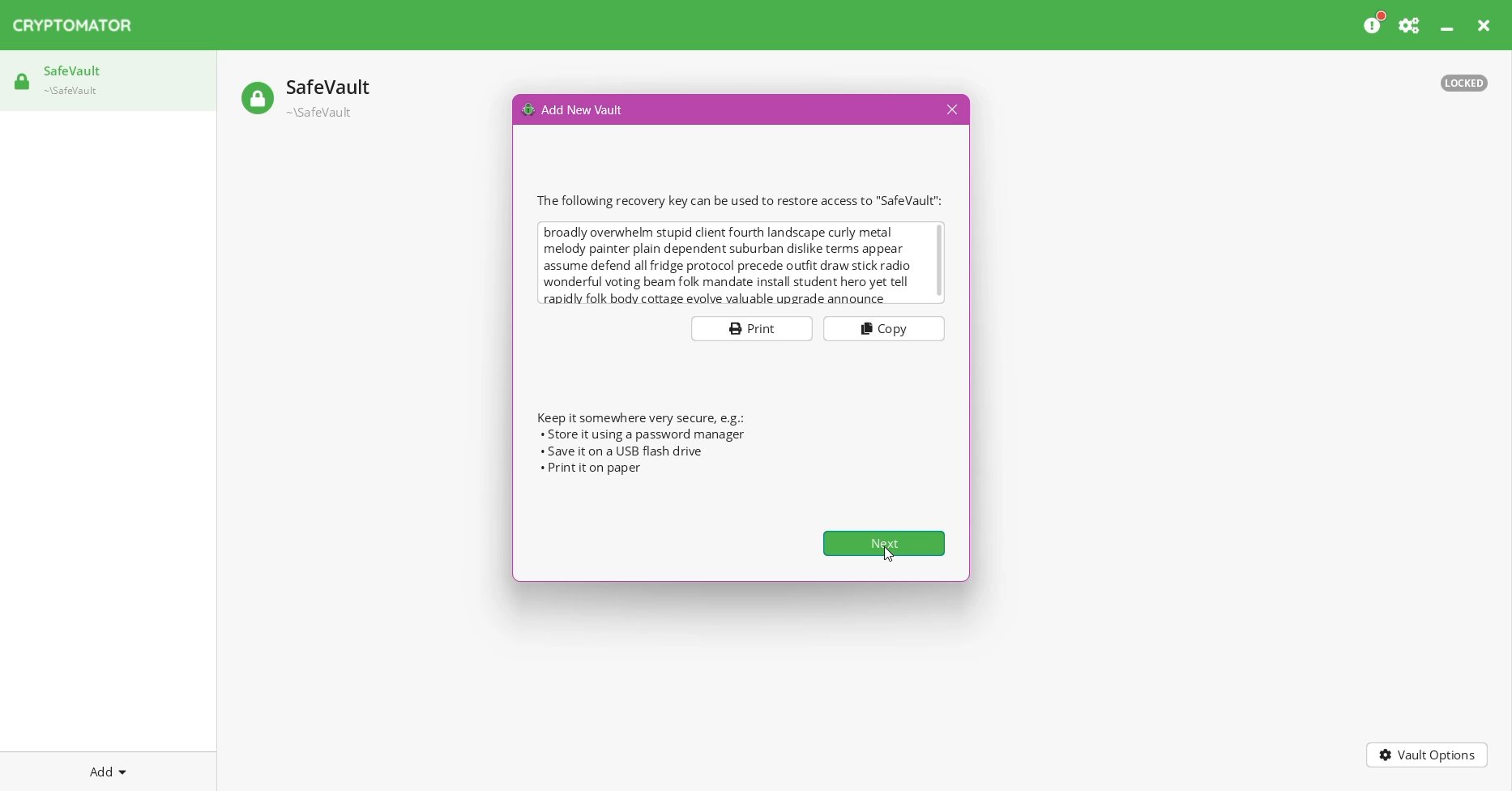 This screenshot has height=791, width=1512. I want to click on Vault status, so click(1465, 83).